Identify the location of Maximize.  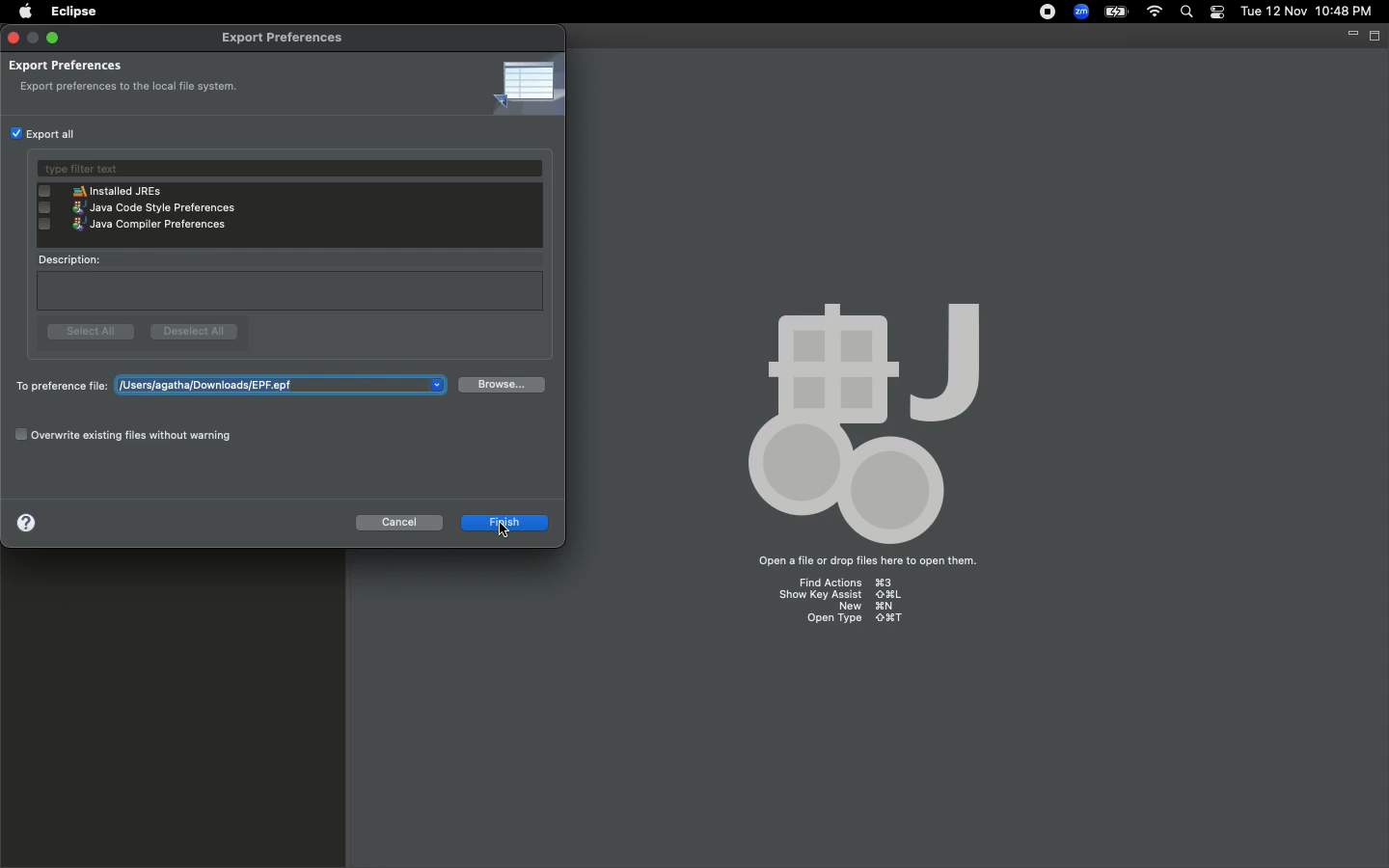
(1376, 37).